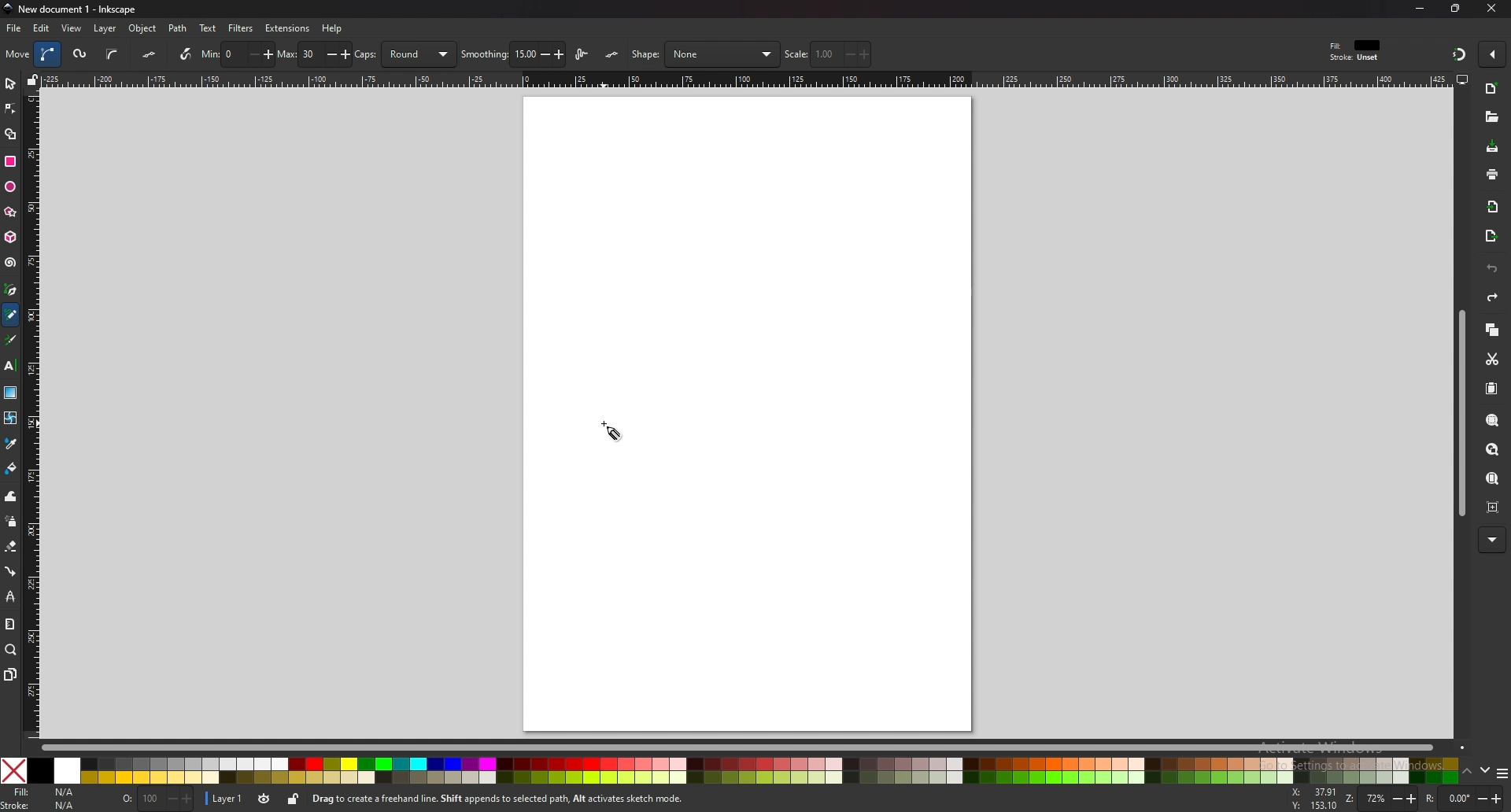 This screenshot has width=1511, height=812. What do you see at coordinates (10, 522) in the screenshot?
I see `spray` at bounding box center [10, 522].